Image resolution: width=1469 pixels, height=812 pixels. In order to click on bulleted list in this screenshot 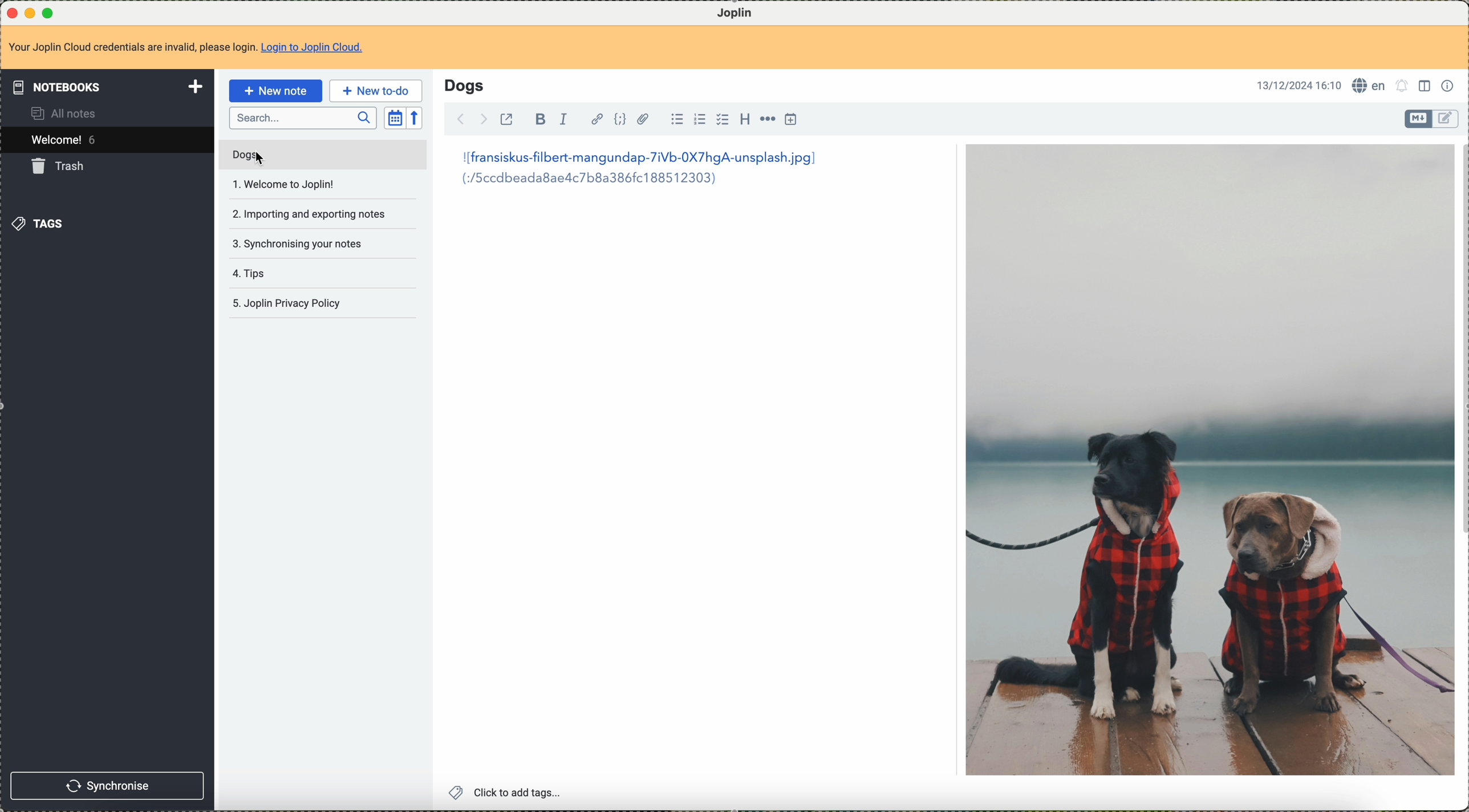, I will do `click(676, 120)`.